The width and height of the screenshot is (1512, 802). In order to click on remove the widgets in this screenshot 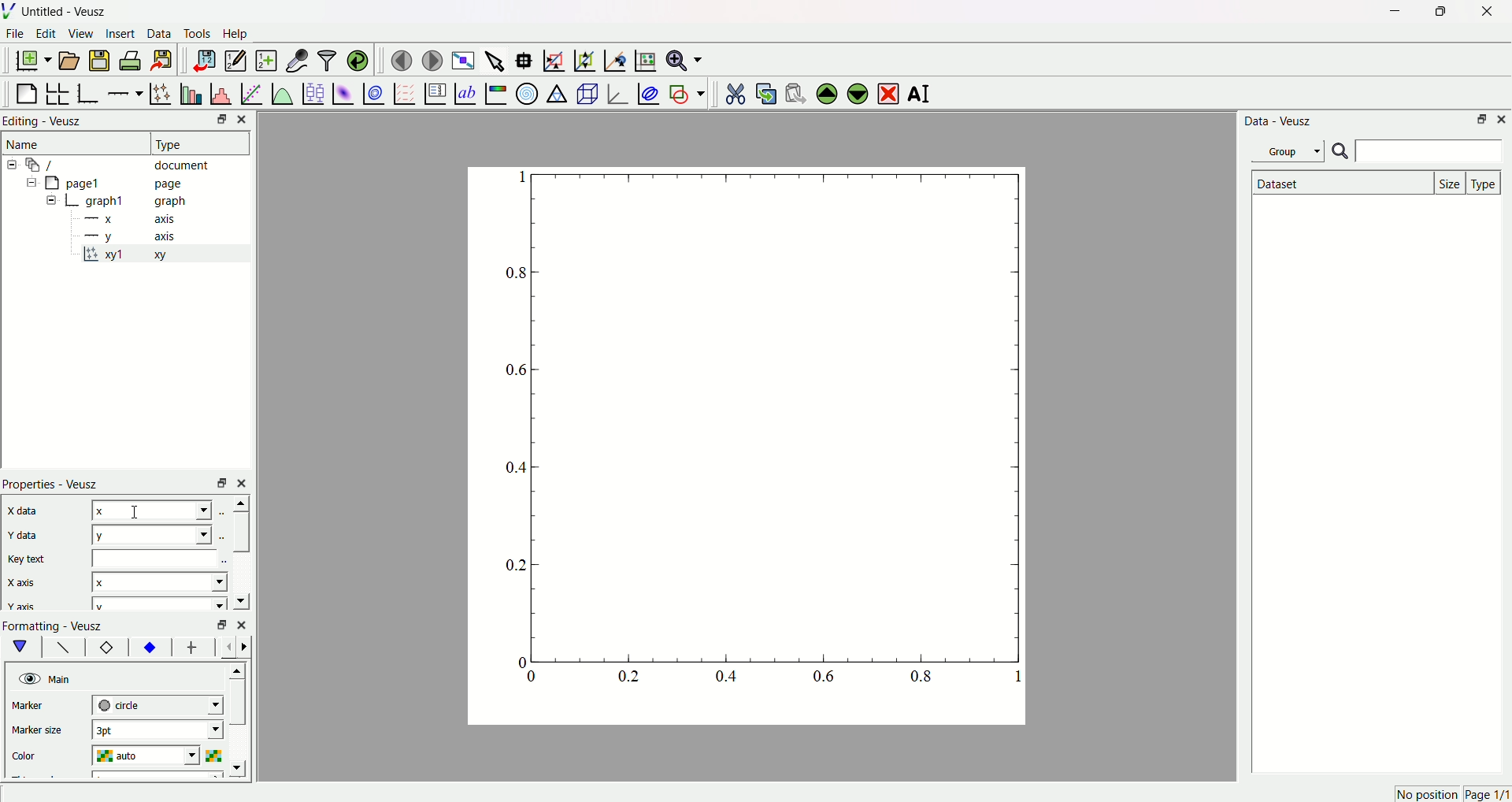, I will do `click(888, 92)`.